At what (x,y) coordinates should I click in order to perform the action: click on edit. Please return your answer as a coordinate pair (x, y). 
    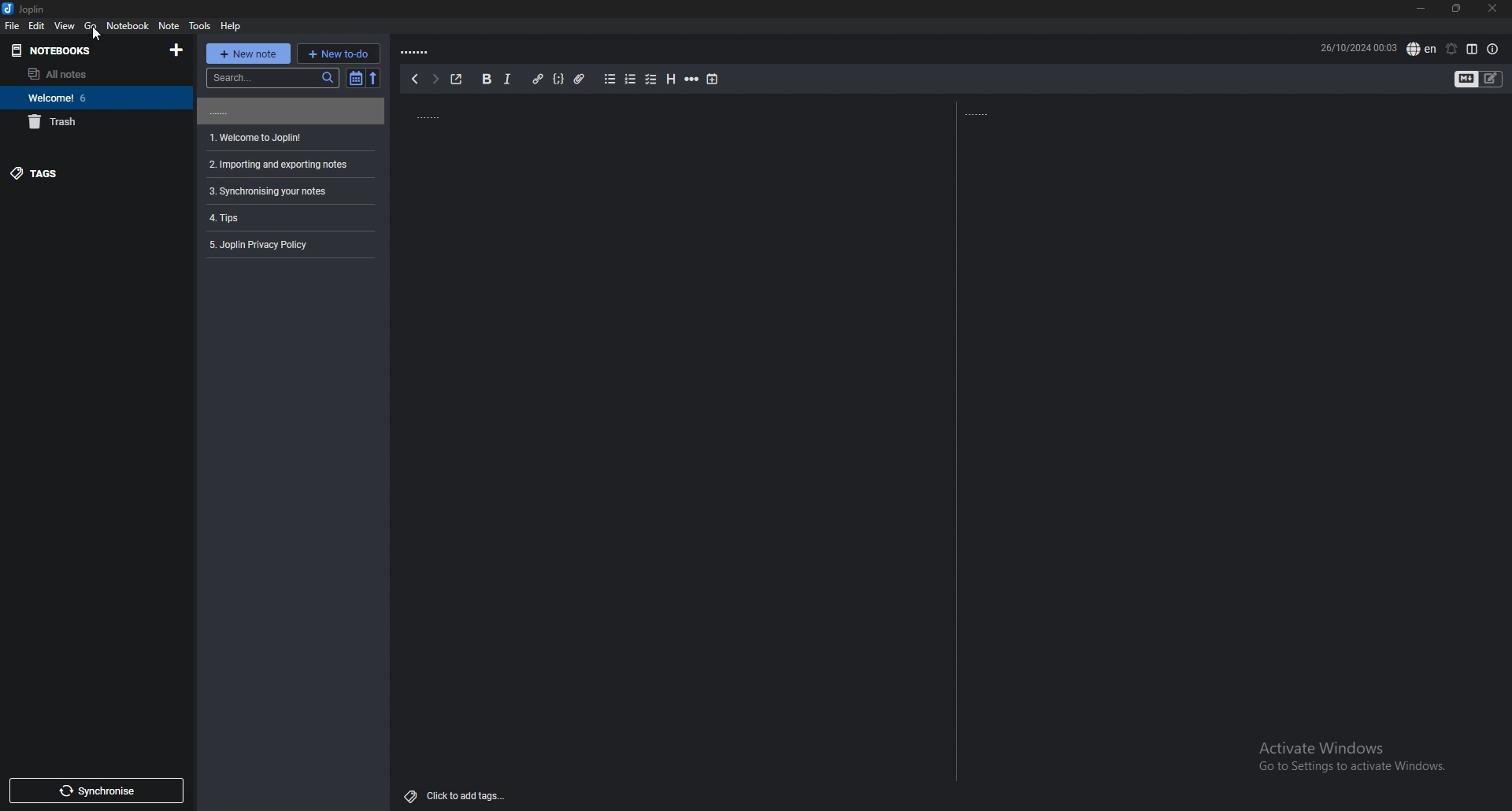
    Looking at the image, I should click on (36, 24).